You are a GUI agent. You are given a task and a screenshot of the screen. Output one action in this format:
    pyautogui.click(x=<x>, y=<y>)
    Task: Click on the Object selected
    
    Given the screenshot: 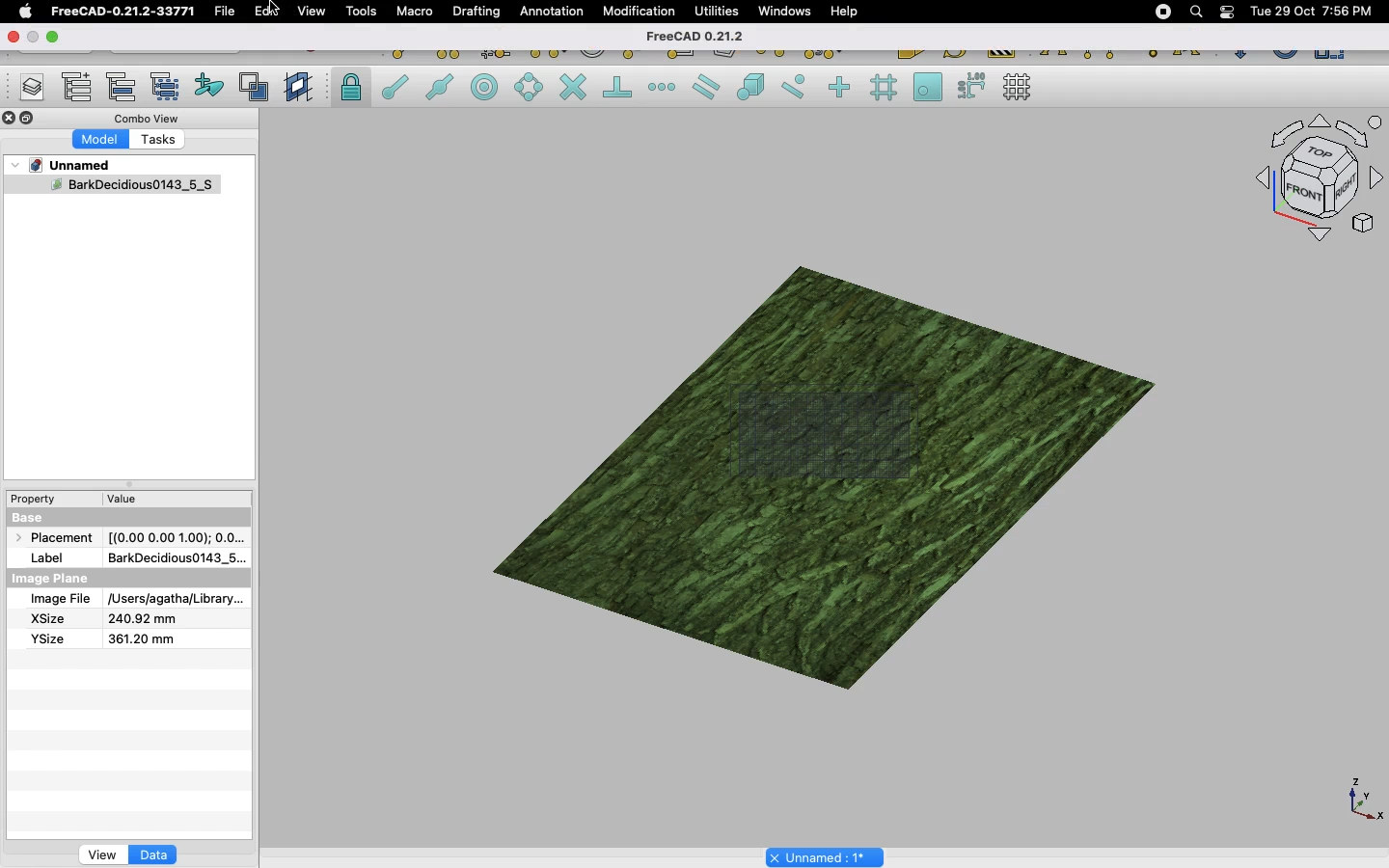 What is the action you would take?
    pyautogui.click(x=110, y=188)
    